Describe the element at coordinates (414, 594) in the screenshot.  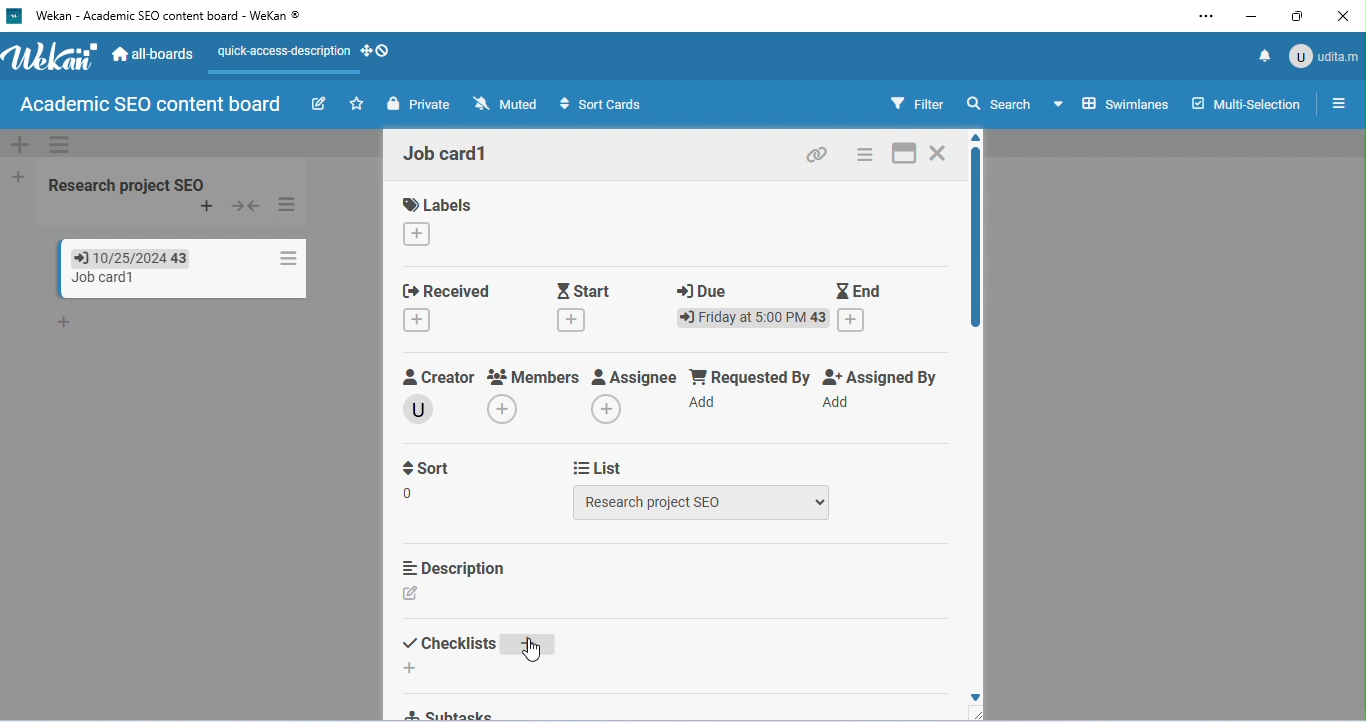
I see `add description` at that location.